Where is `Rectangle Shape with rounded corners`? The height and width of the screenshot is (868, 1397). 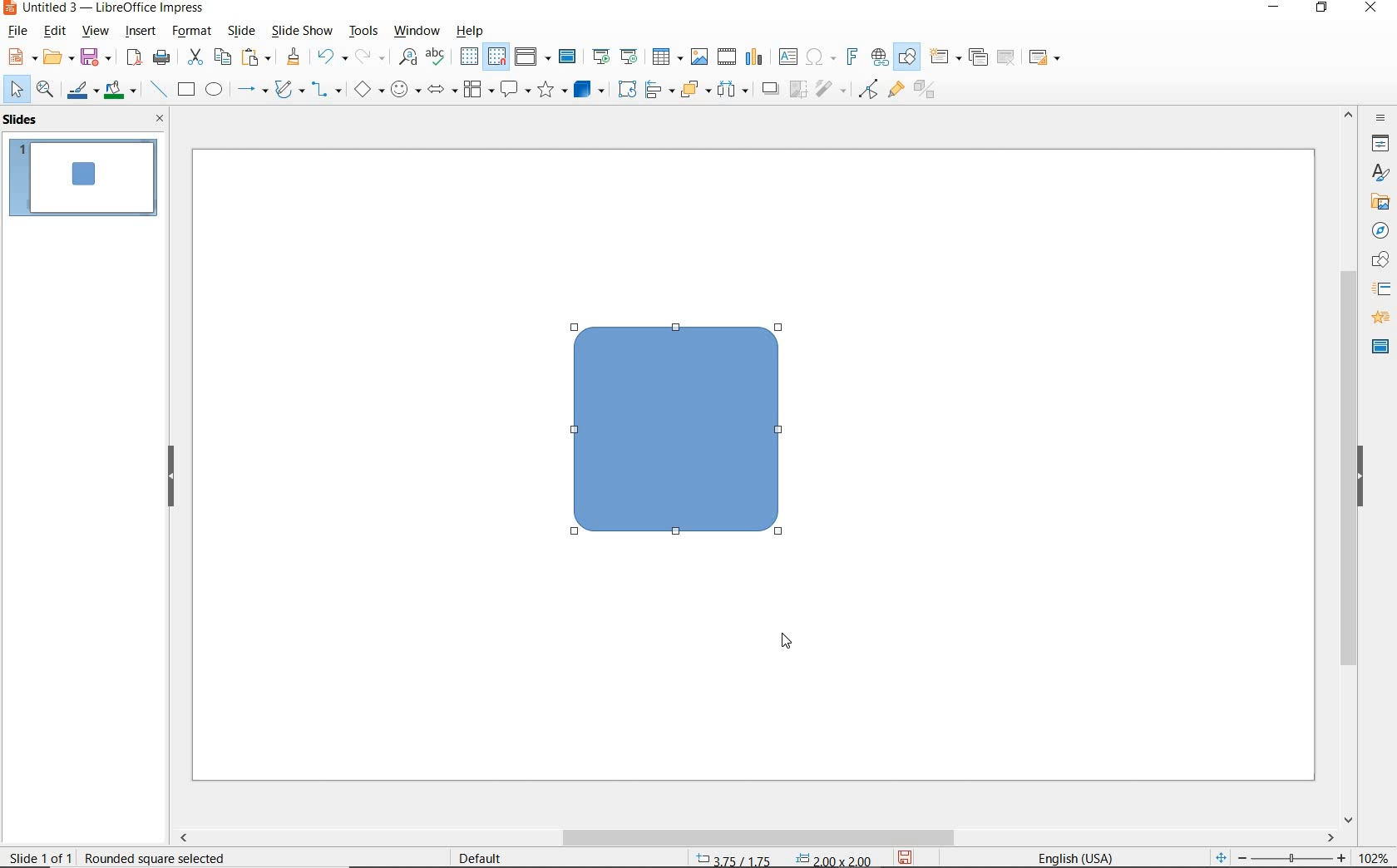 Rectangle Shape with rounded corners is located at coordinates (679, 434).